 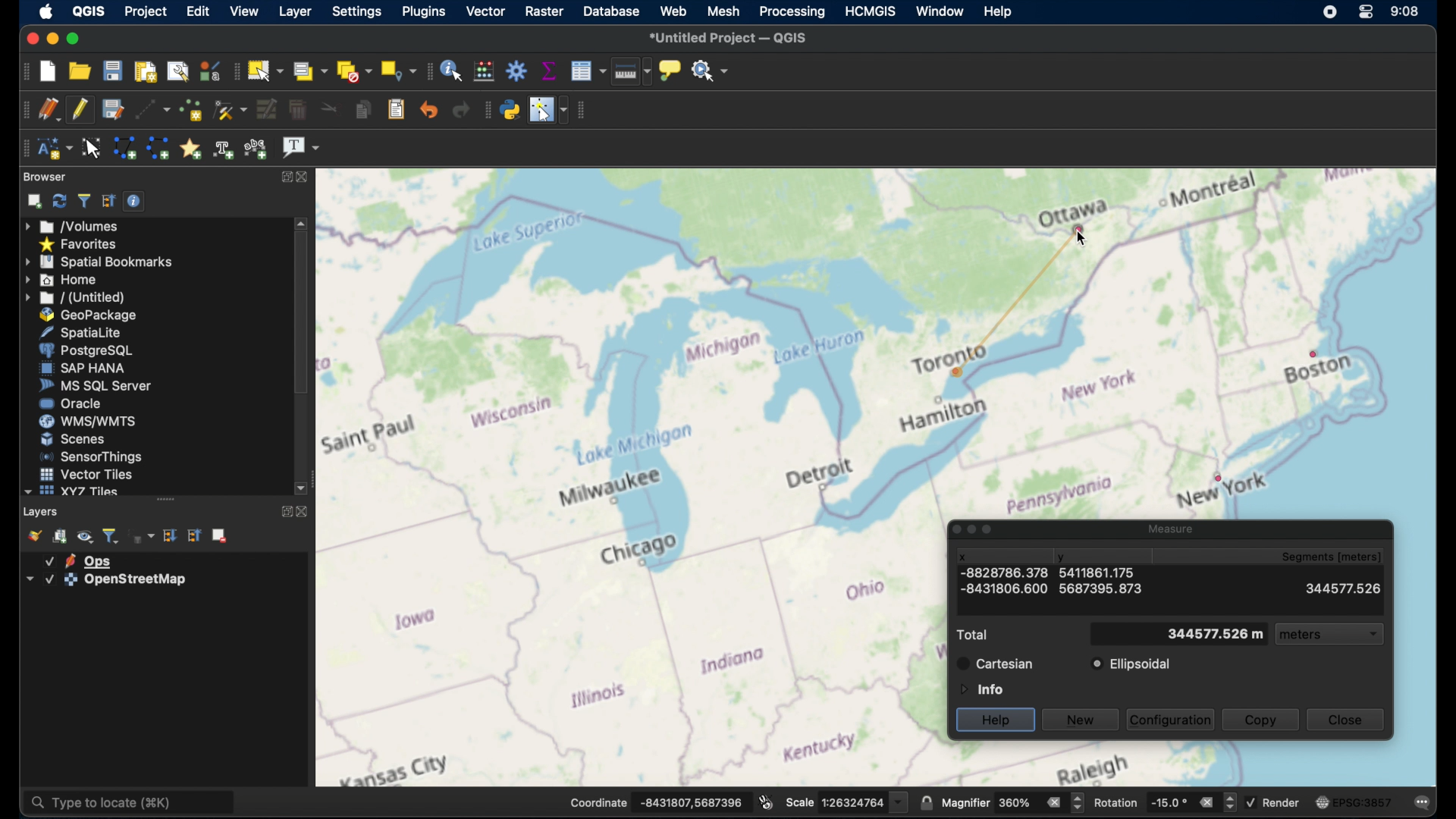 What do you see at coordinates (792, 12) in the screenshot?
I see `processing` at bounding box center [792, 12].